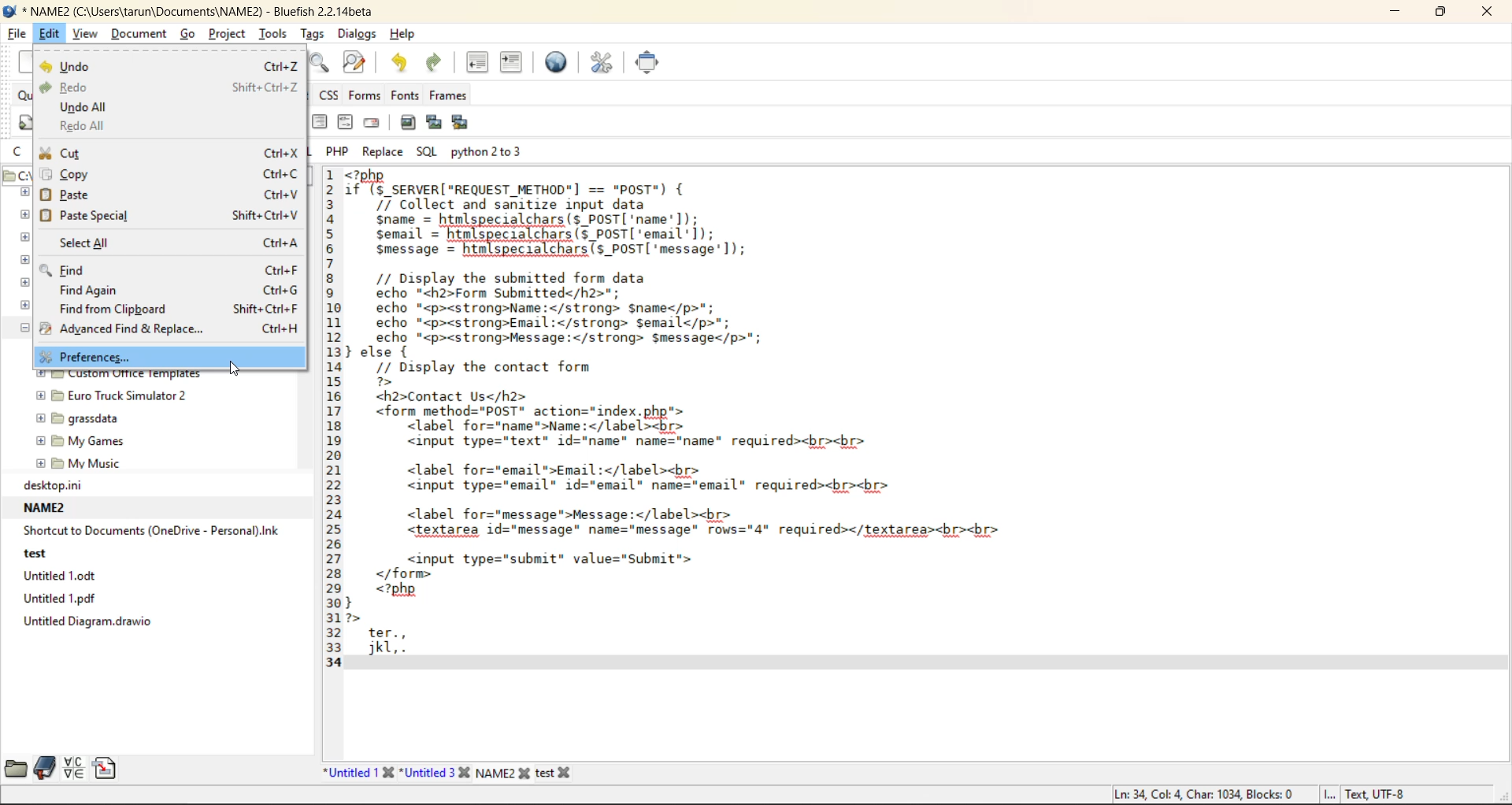 The height and width of the screenshot is (805, 1512). What do you see at coordinates (355, 61) in the screenshot?
I see `find and replace` at bounding box center [355, 61].